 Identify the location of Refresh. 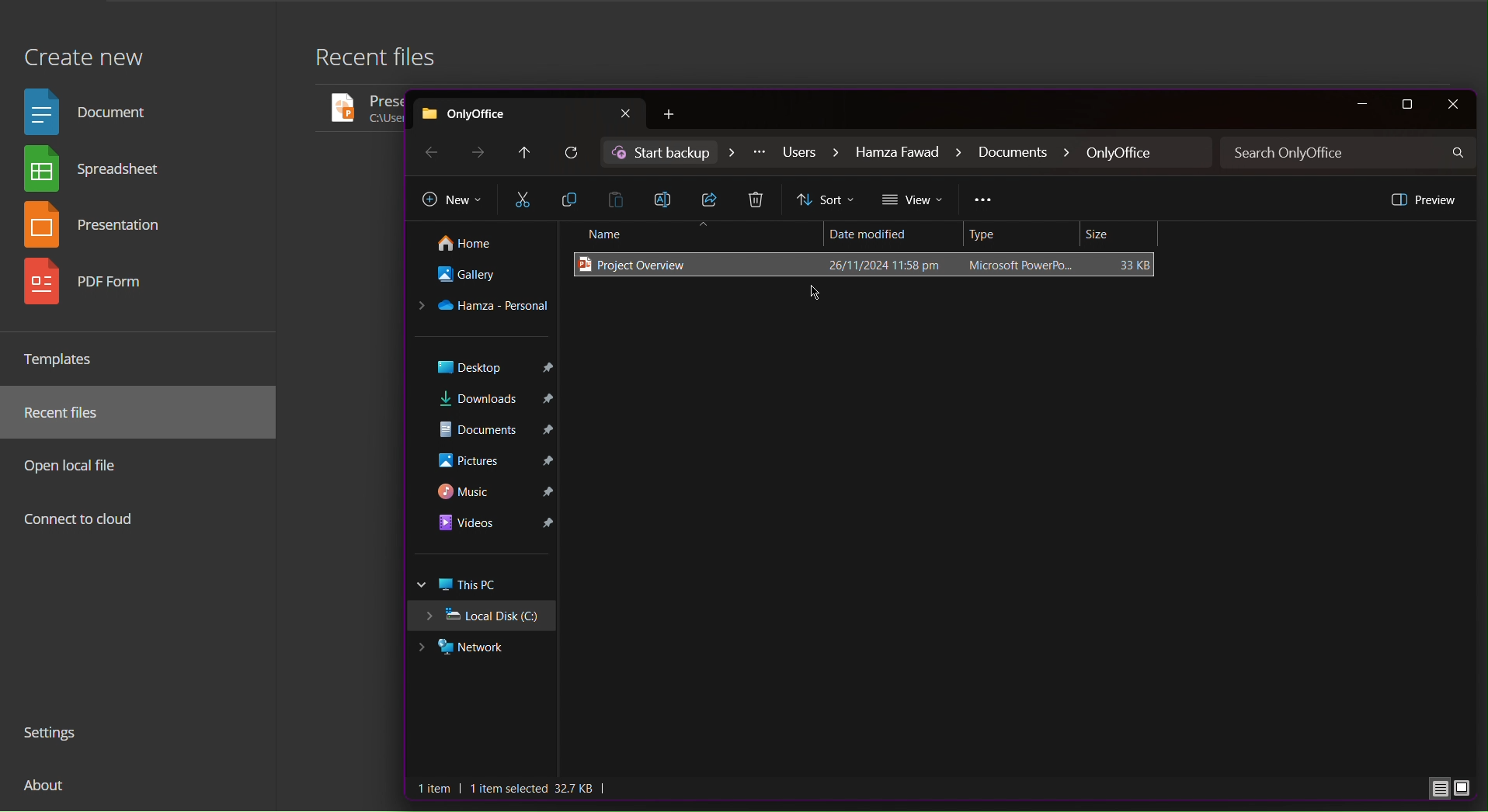
(573, 154).